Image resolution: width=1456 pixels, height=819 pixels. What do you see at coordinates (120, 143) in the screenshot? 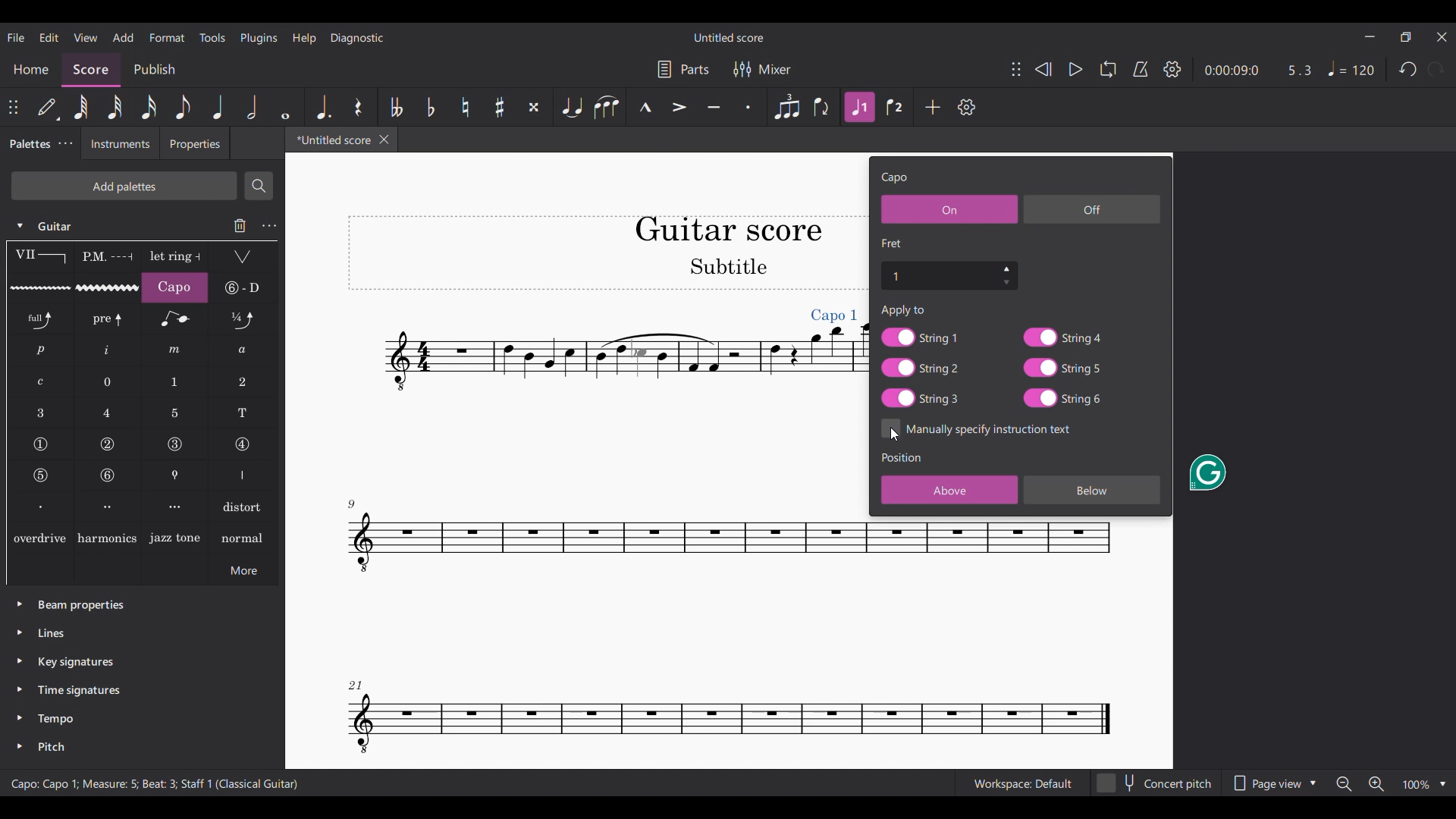
I see `Instruments tab` at bounding box center [120, 143].